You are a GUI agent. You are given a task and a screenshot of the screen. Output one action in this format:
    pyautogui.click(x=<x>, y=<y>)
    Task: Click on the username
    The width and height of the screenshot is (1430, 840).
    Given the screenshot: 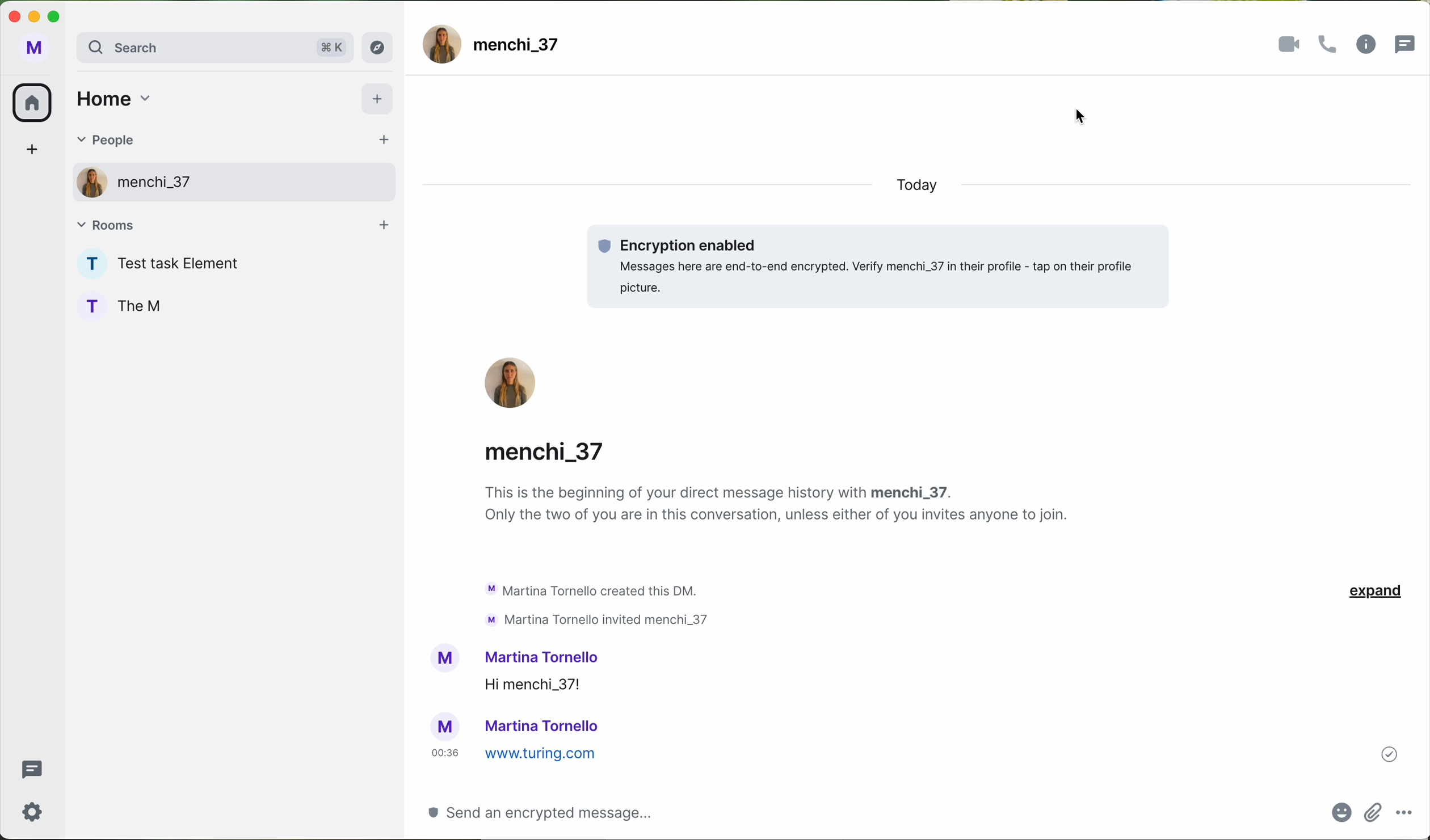 What is the action you would take?
    pyautogui.click(x=541, y=459)
    